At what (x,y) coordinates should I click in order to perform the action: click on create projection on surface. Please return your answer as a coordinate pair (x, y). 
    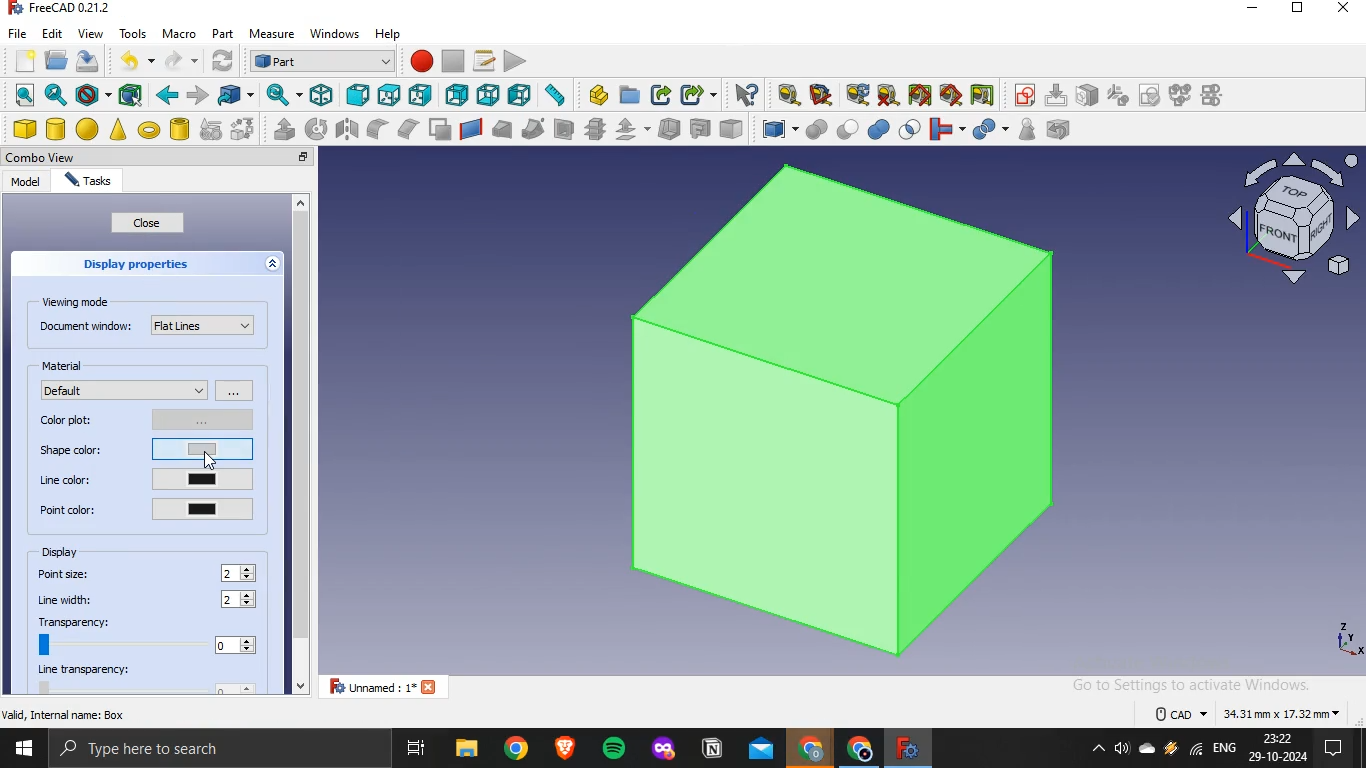
    Looking at the image, I should click on (699, 128).